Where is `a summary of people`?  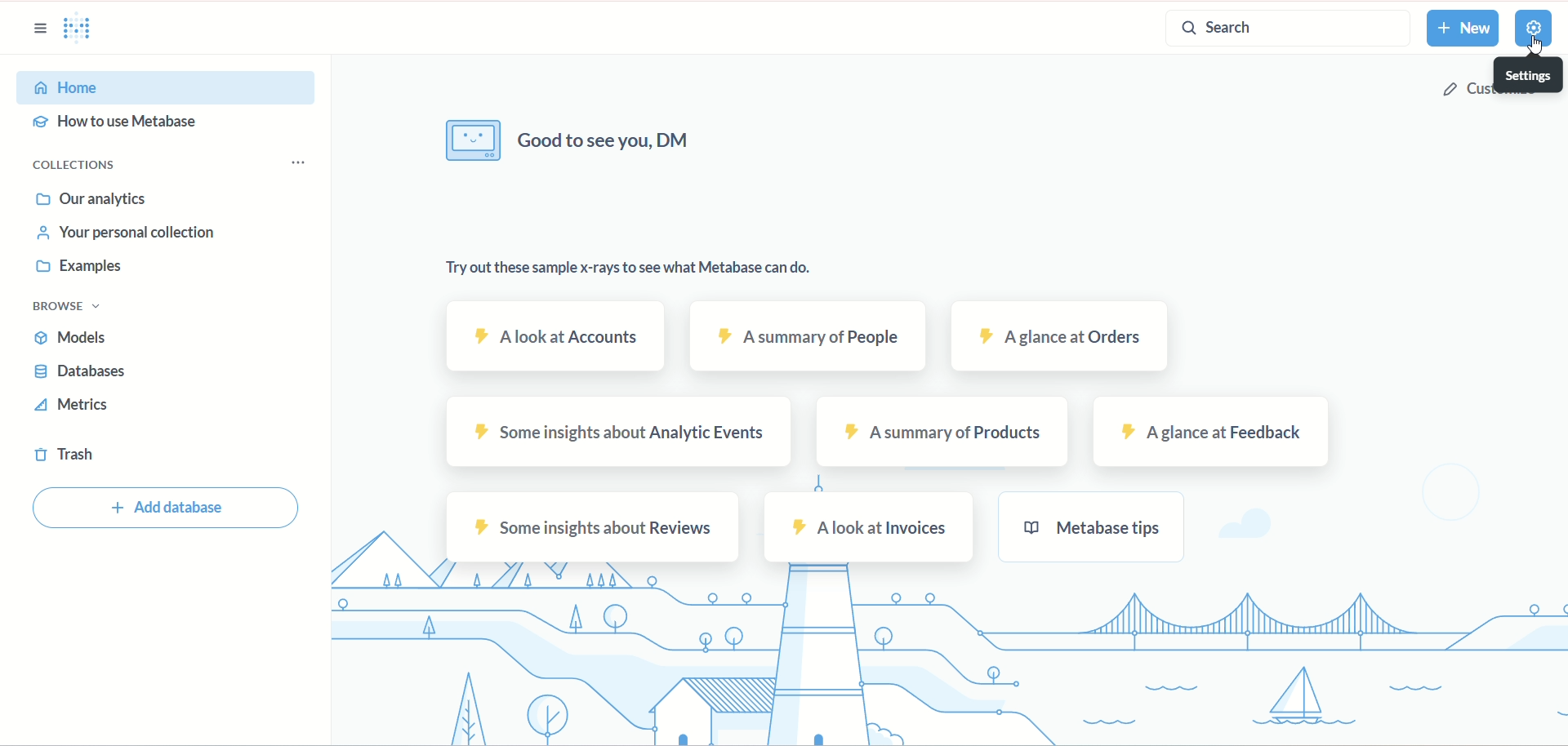 a summary of people is located at coordinates (807, 338).